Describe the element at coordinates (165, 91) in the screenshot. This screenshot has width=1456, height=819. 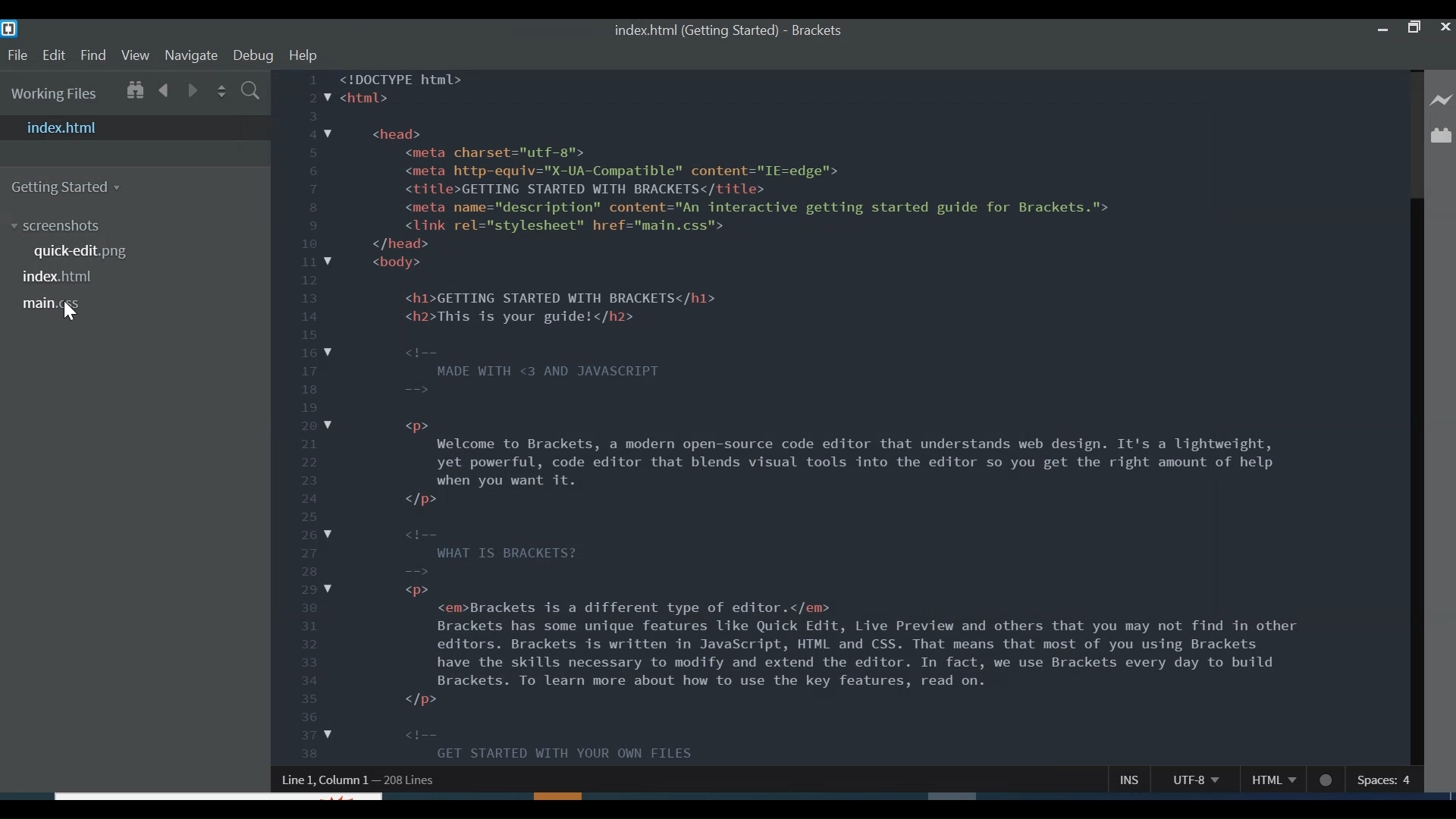
I see `Go Back ` at that location.